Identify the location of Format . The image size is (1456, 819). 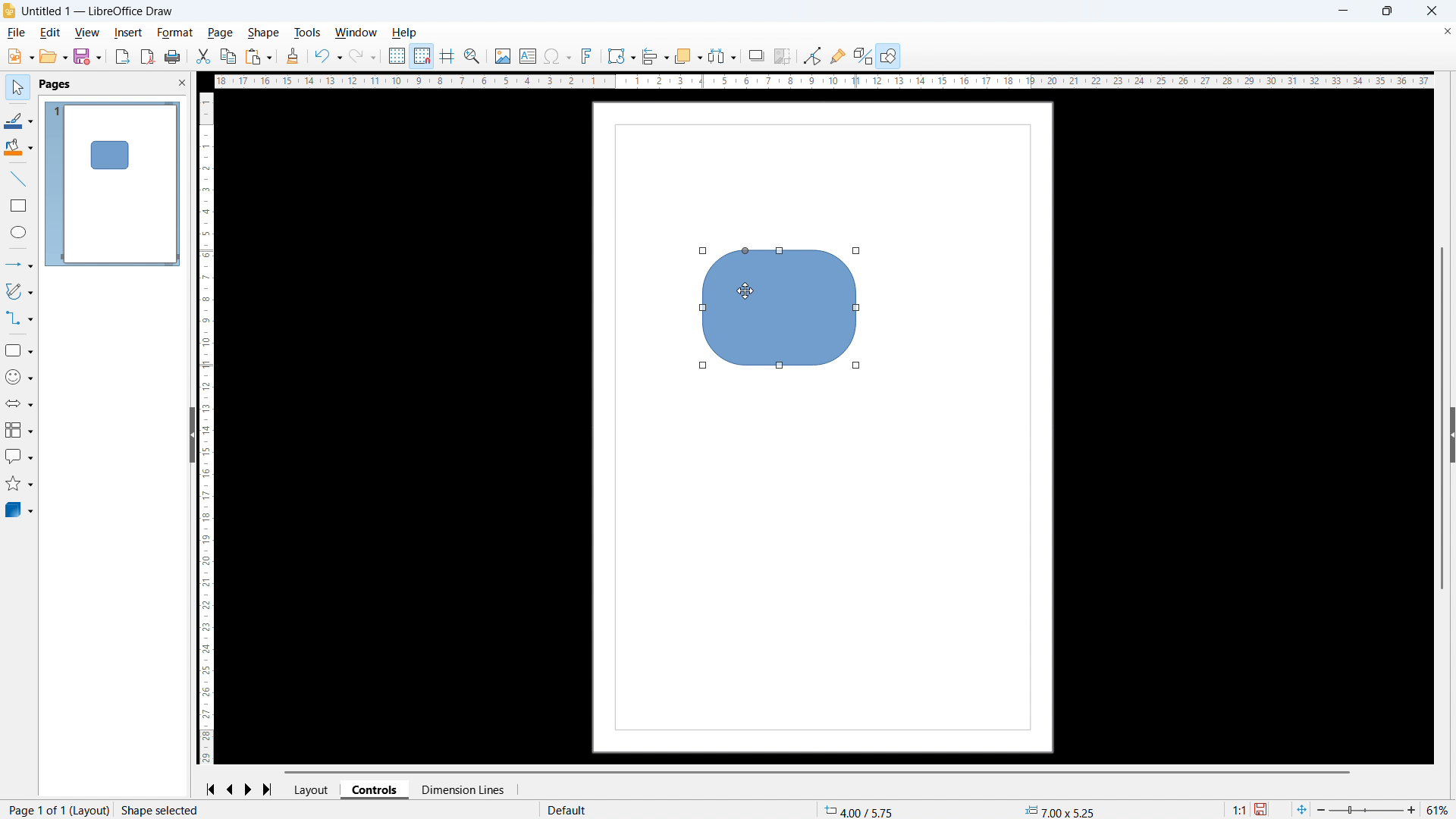
(175, 33).